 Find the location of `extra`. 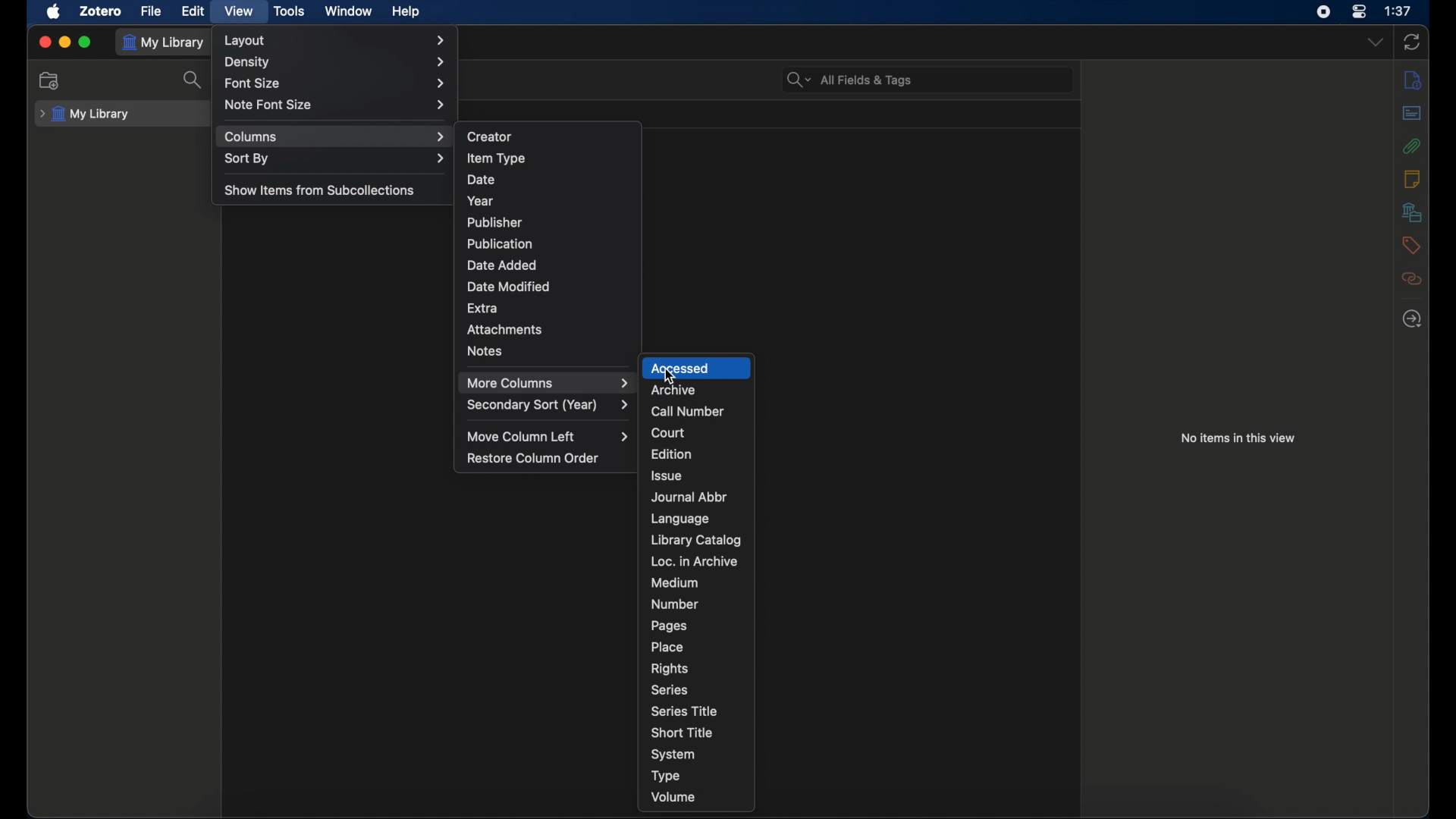

extra is located at coordinates (483, 309).